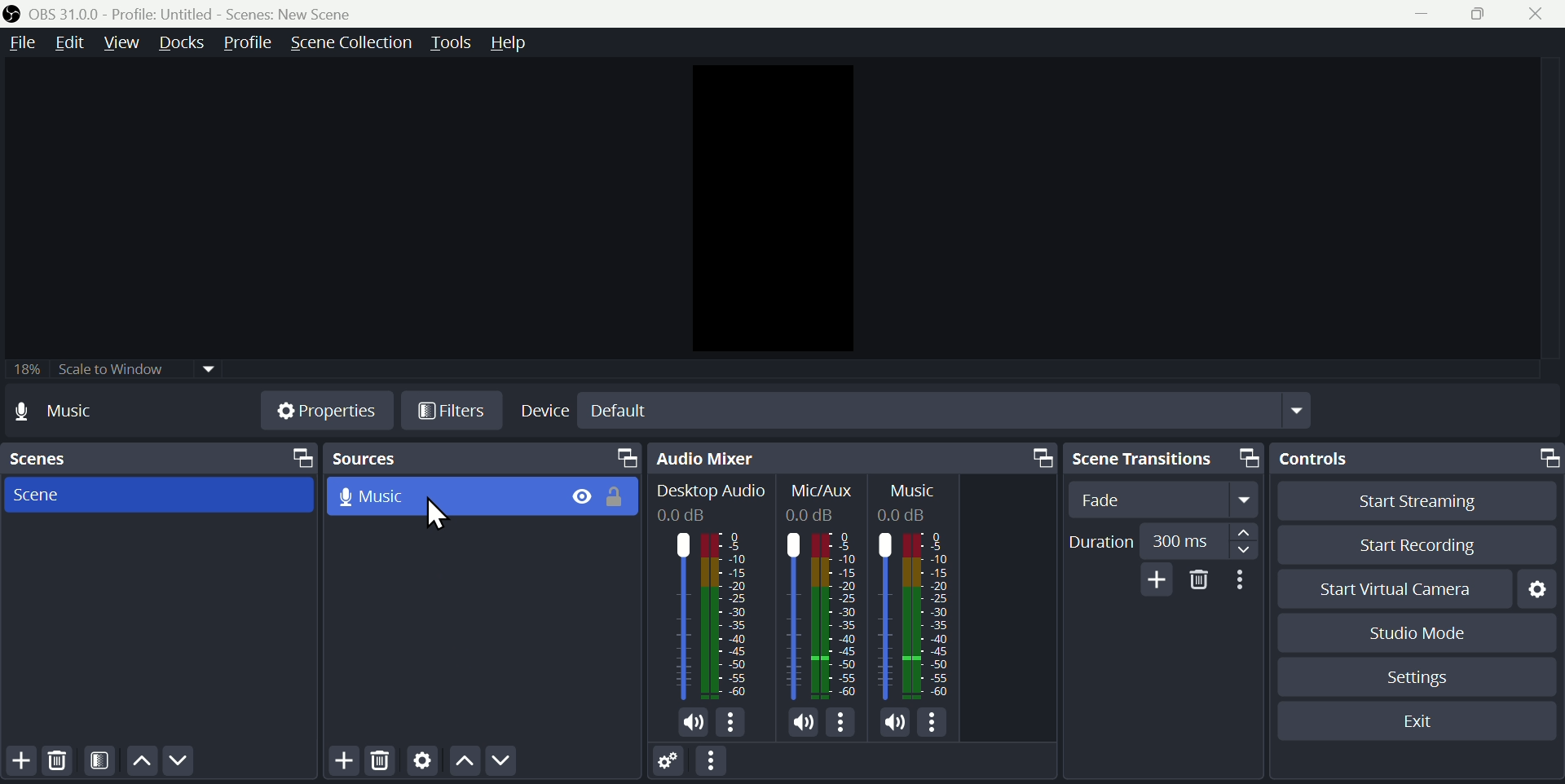 Image resolution: width=1565 pixels, height=784 pixels. I want to click on fade, so click(1170, 500).